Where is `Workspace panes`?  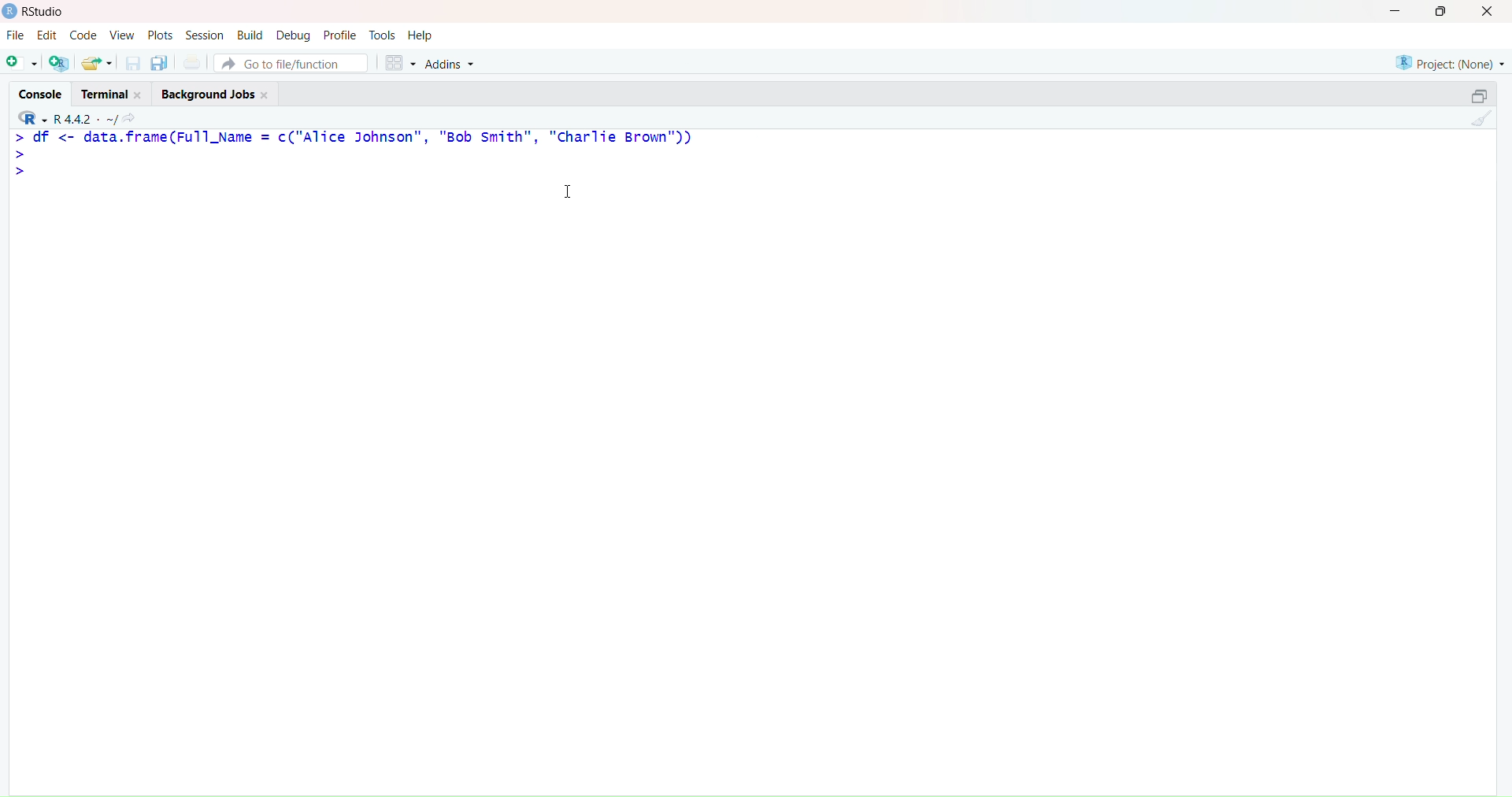
Workspace panes is located at coordinates (400, 63).